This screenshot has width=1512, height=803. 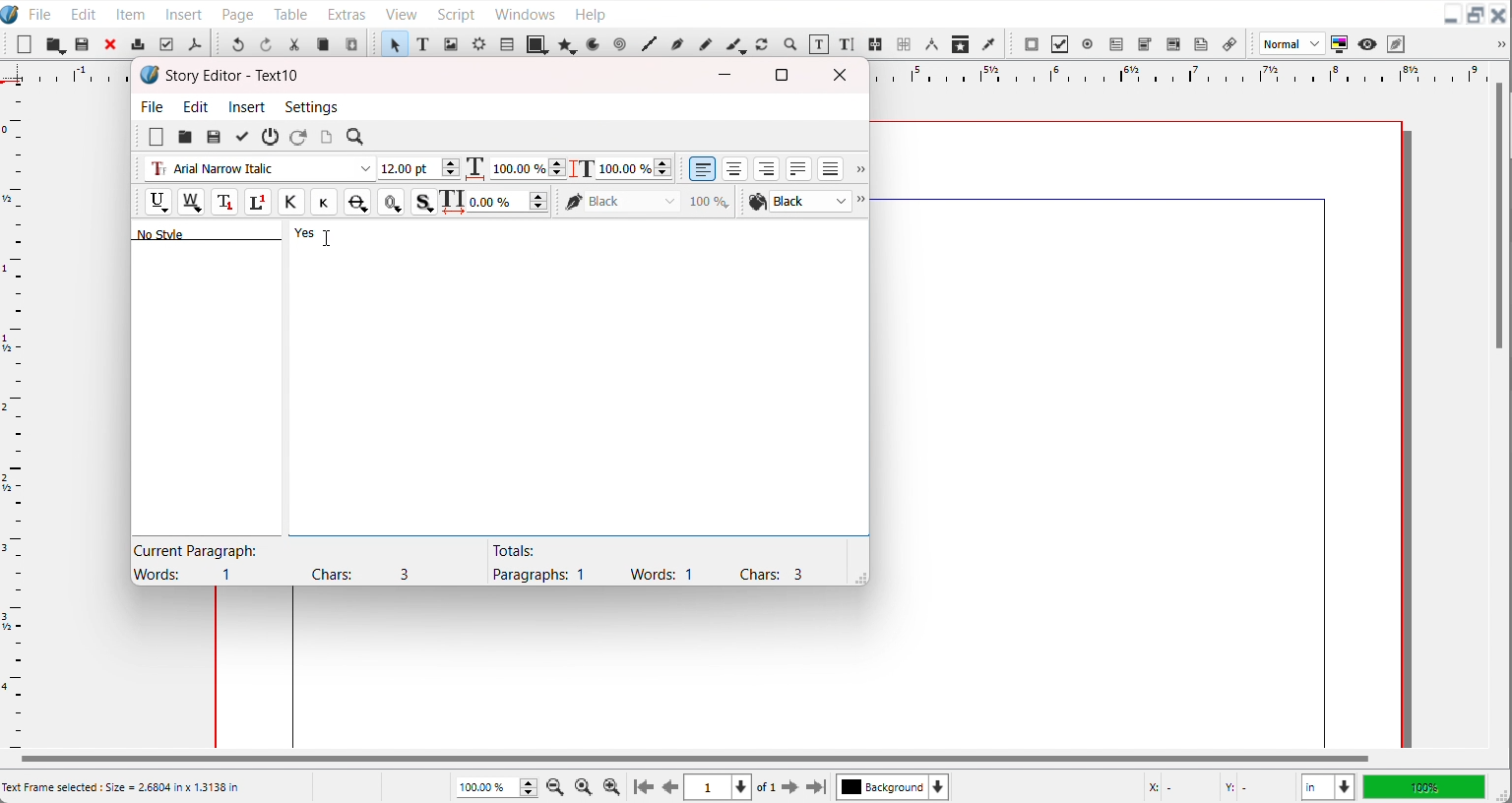 What do you see at coordinates (528, 168) in the screenshot?
I see `Text width adjuster` at bounding box center [528, 168].